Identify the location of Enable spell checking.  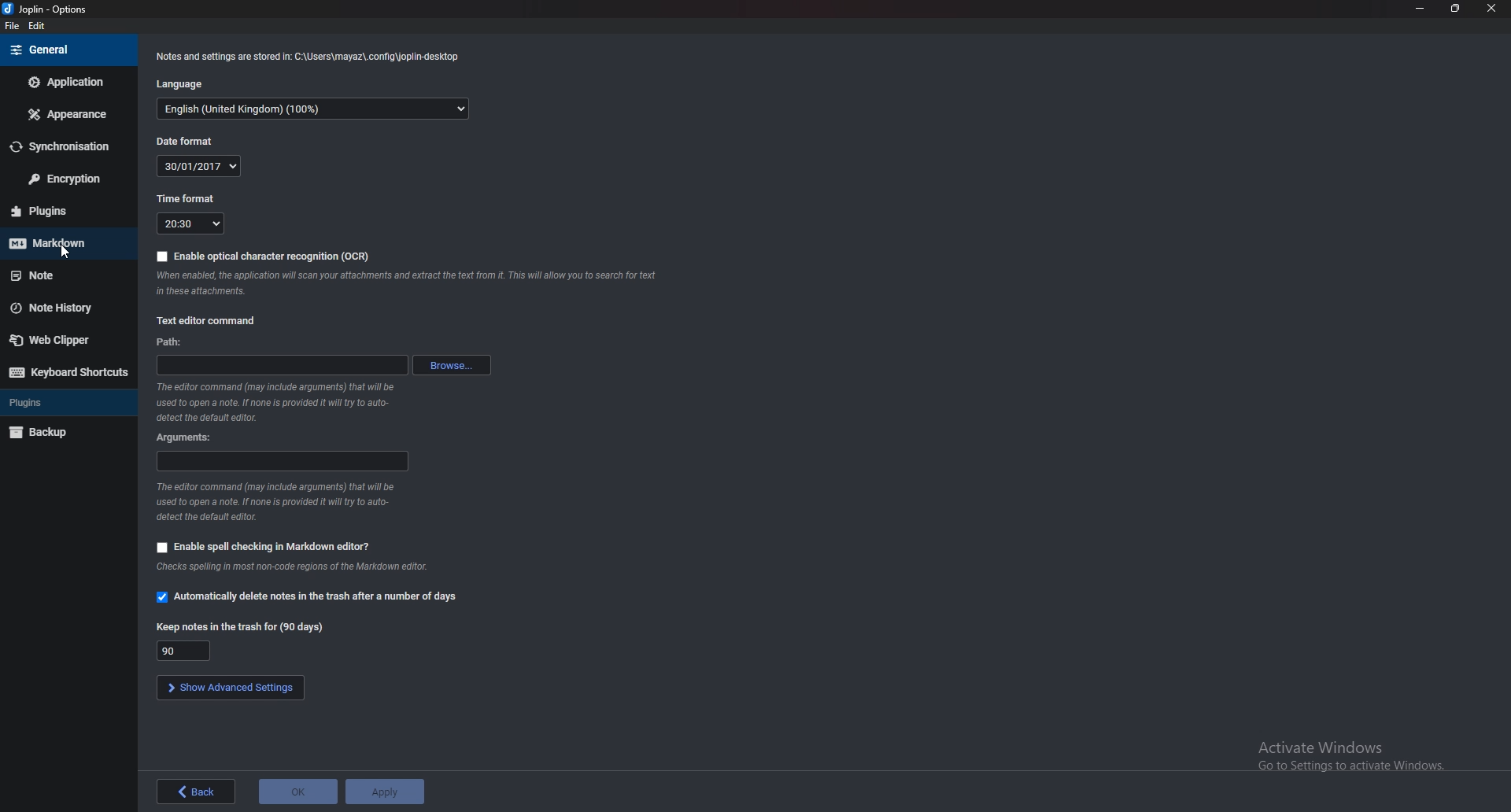
(264, 548).